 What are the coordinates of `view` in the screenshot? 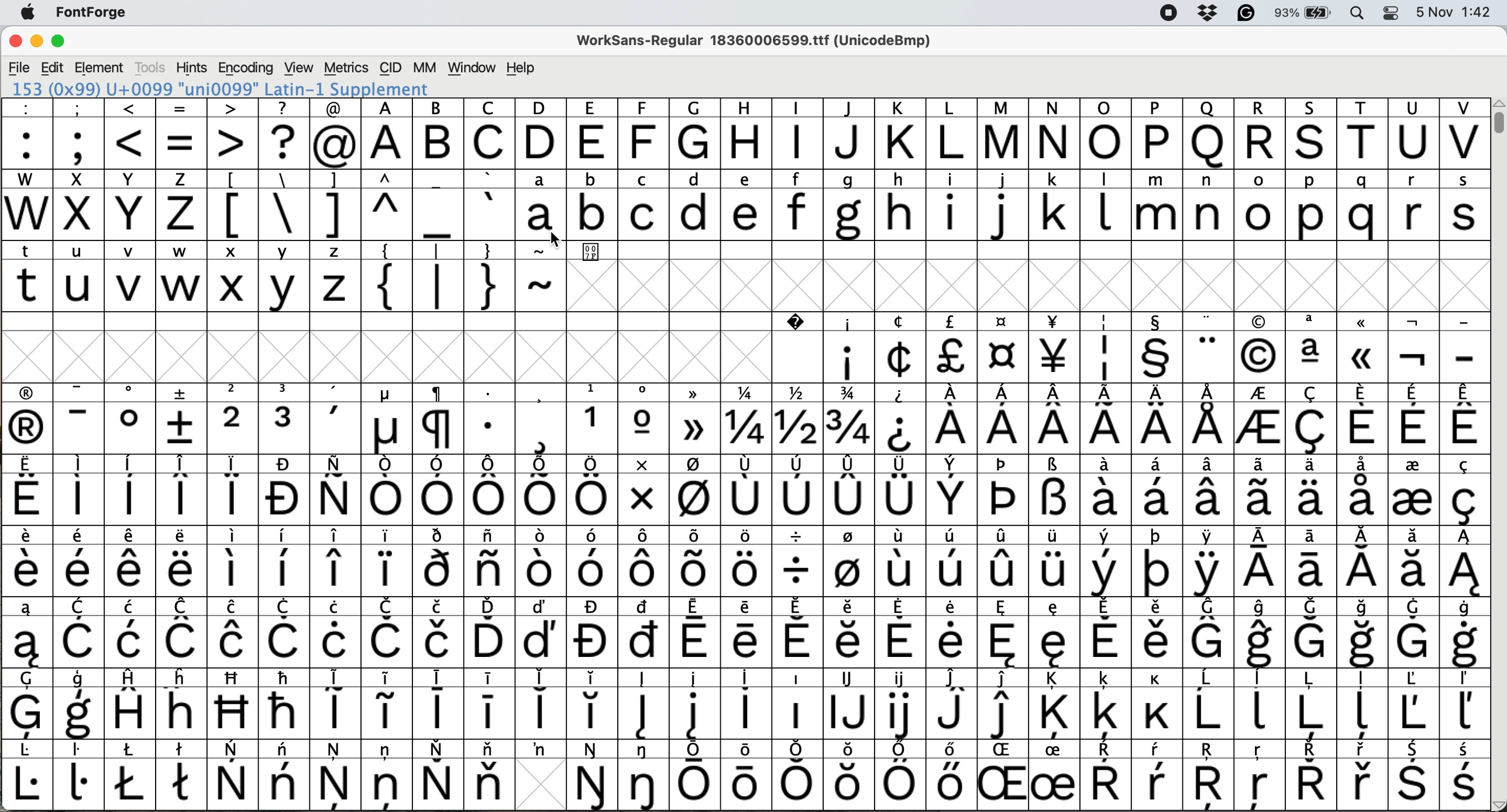 It's located at (299, 67).